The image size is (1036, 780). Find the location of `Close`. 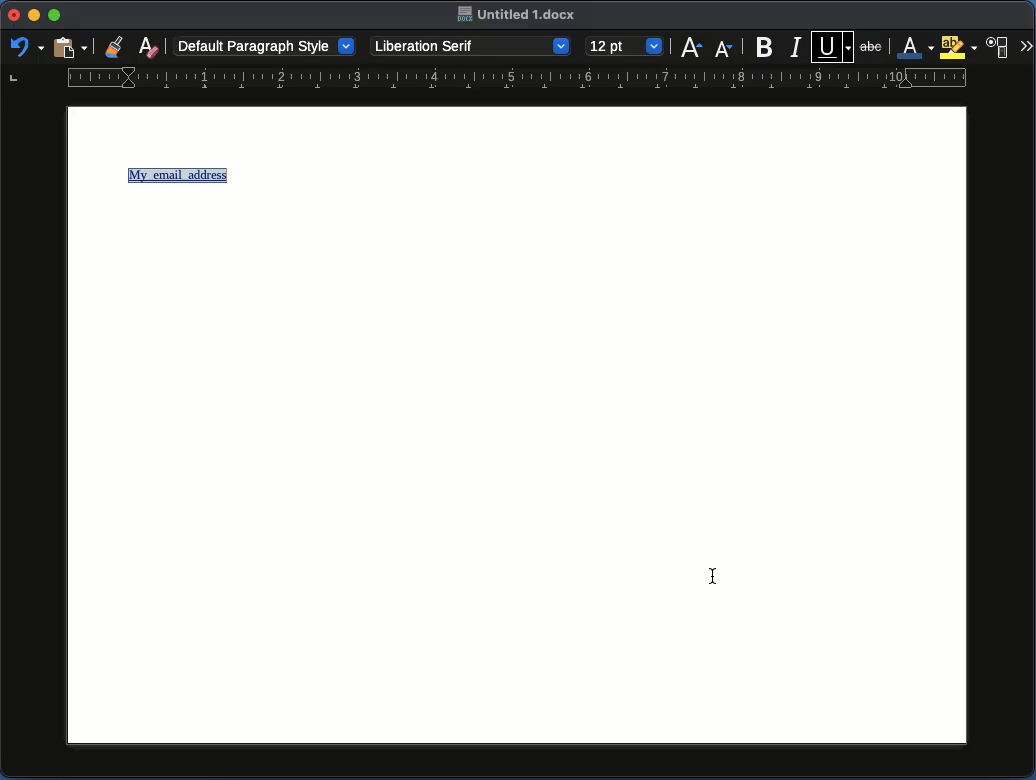

Close is located at coordinates (14, 15).